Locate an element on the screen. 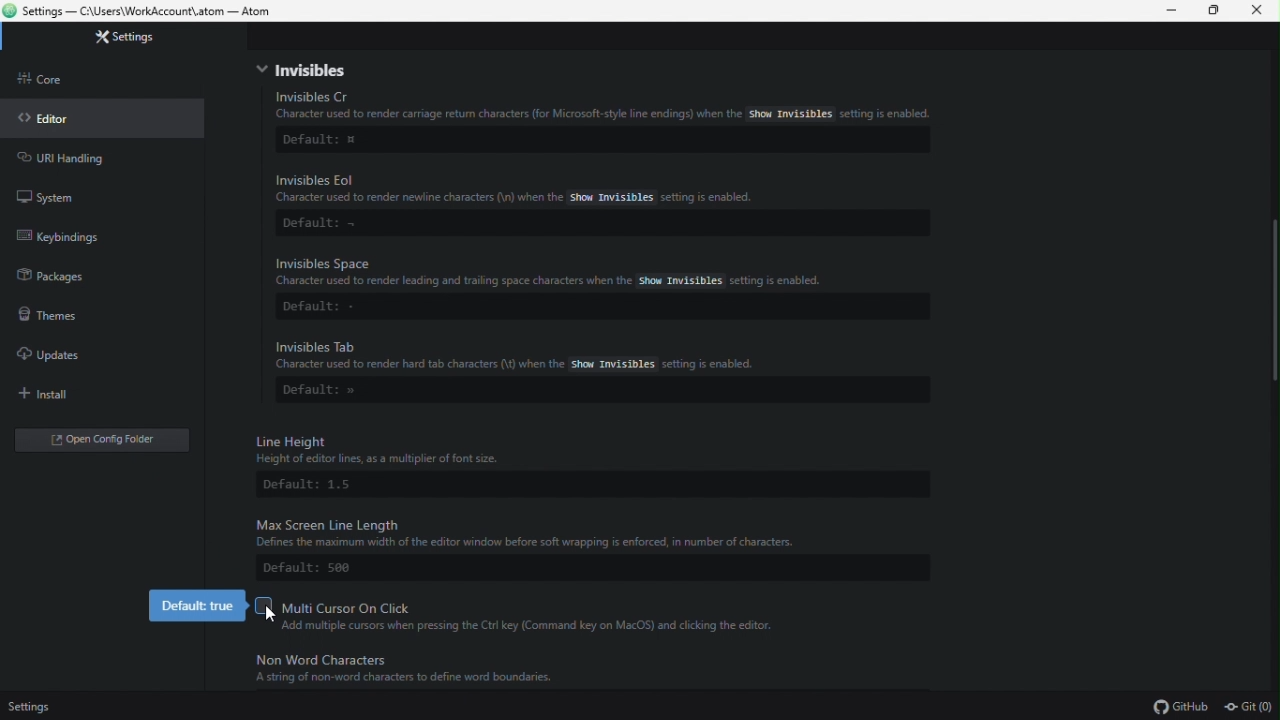  Restore is located at coordinates (1213, 10).